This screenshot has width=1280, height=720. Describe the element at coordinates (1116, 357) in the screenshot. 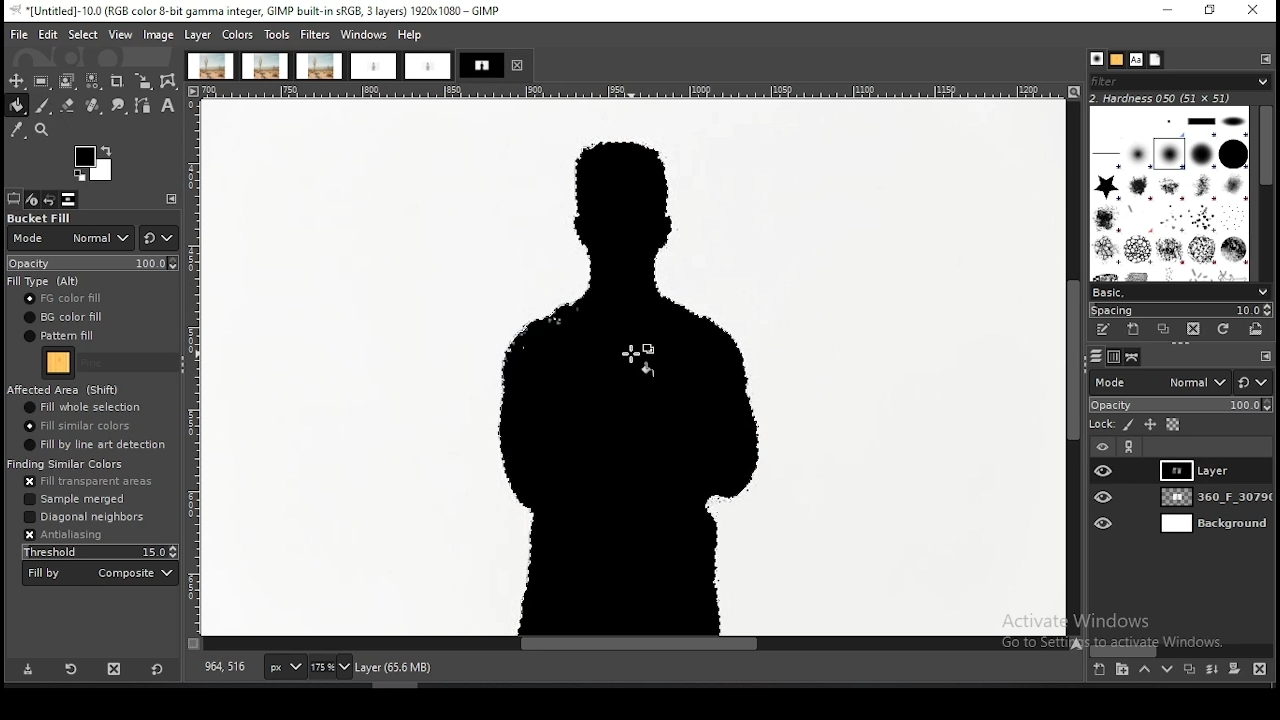

I see `channels` at that location.